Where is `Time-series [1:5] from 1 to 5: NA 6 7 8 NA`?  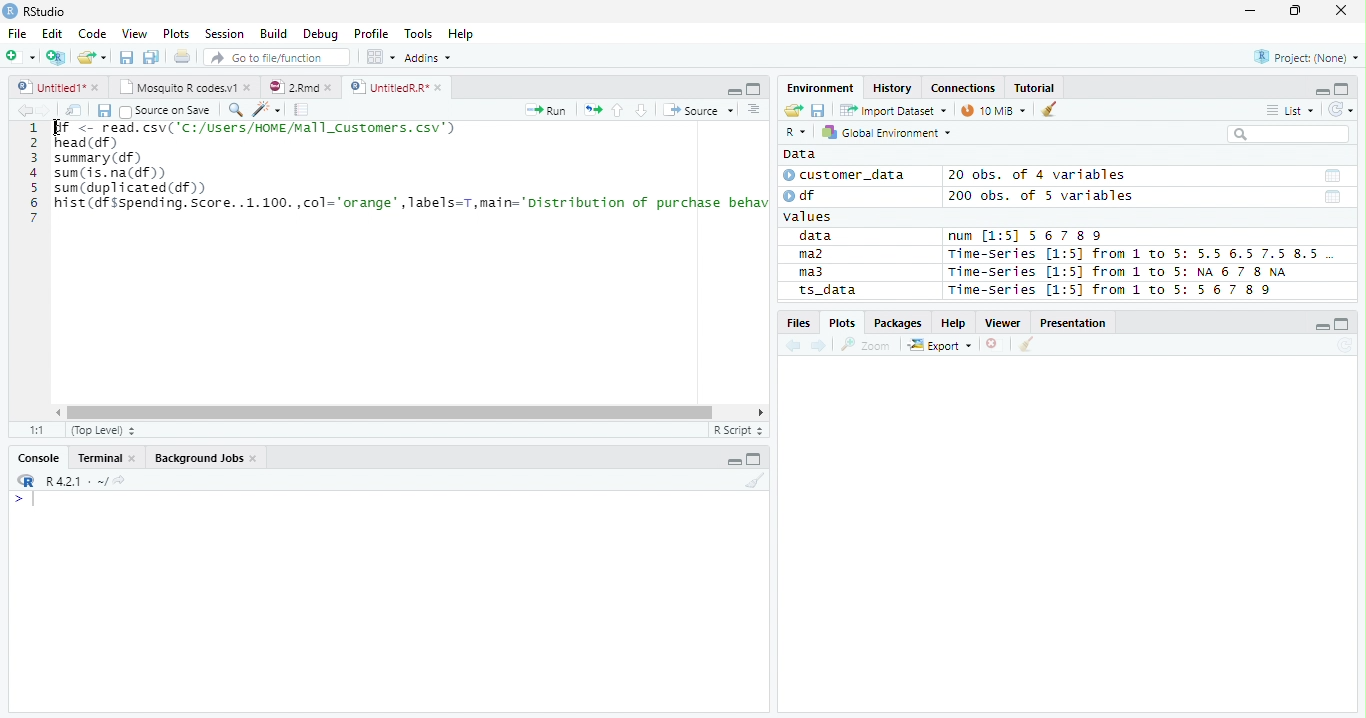 Time-series [1:5] from 1 to 5: NA 6 7 8 NA is located at coordinates (1126, 273).